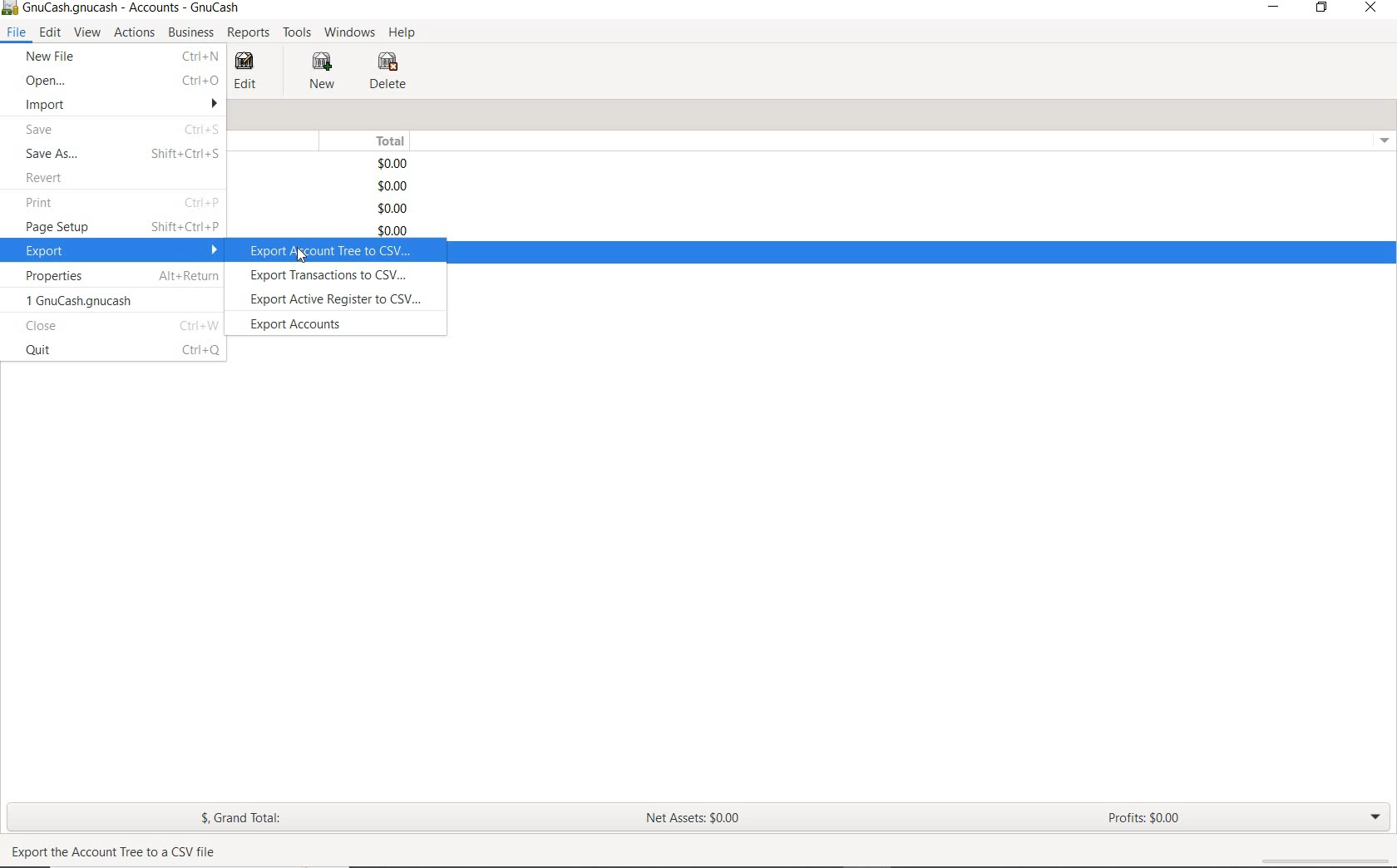 The height and width of the screenshot is (868, 1397). What do you see at coordinates (1145, 817) in the screenshot?
I see `PROFITS` at bounding box center [1145, 817].